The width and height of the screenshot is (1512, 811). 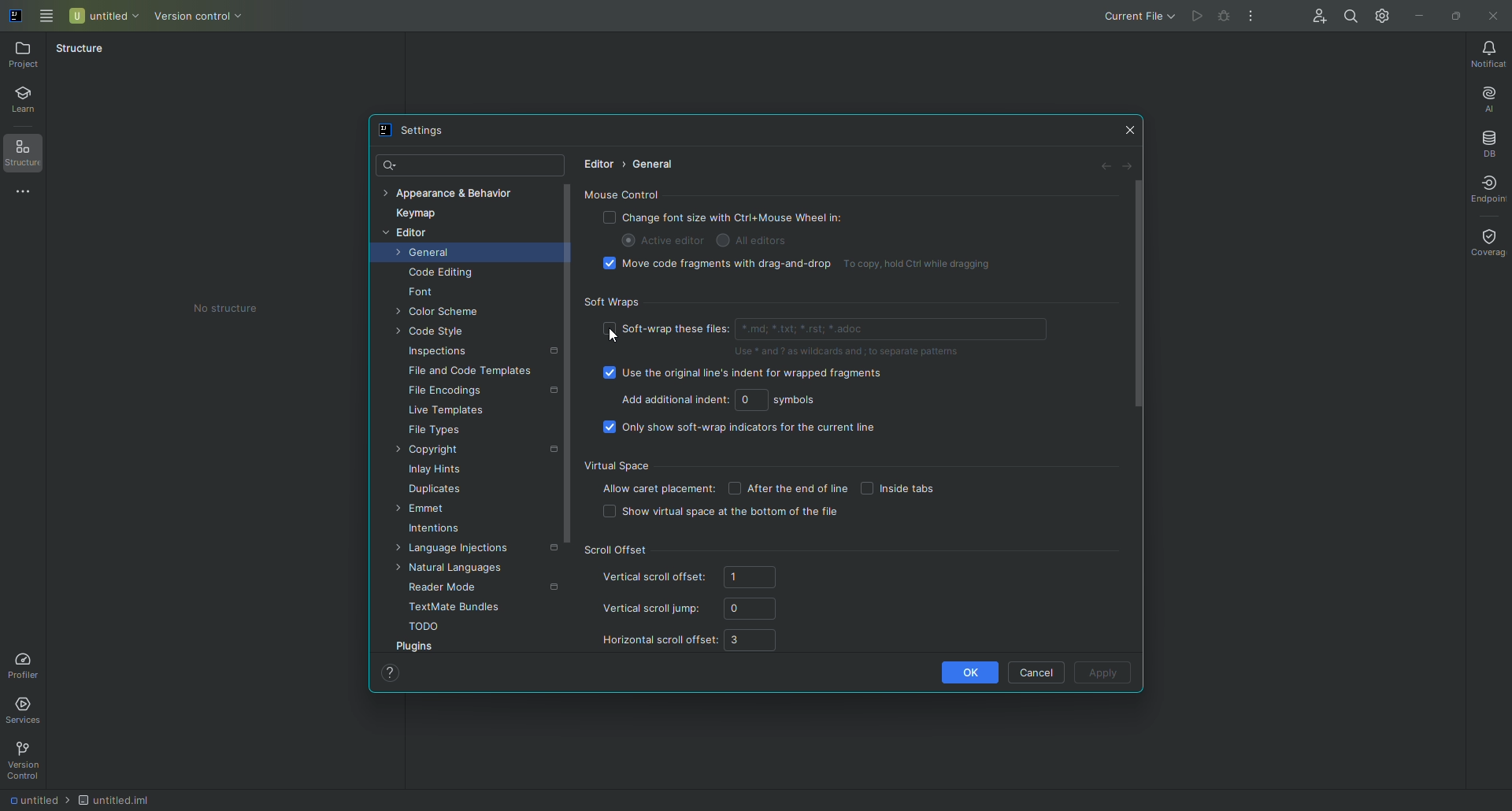 I want to click on Duplicates, so click(x=436, y=490).